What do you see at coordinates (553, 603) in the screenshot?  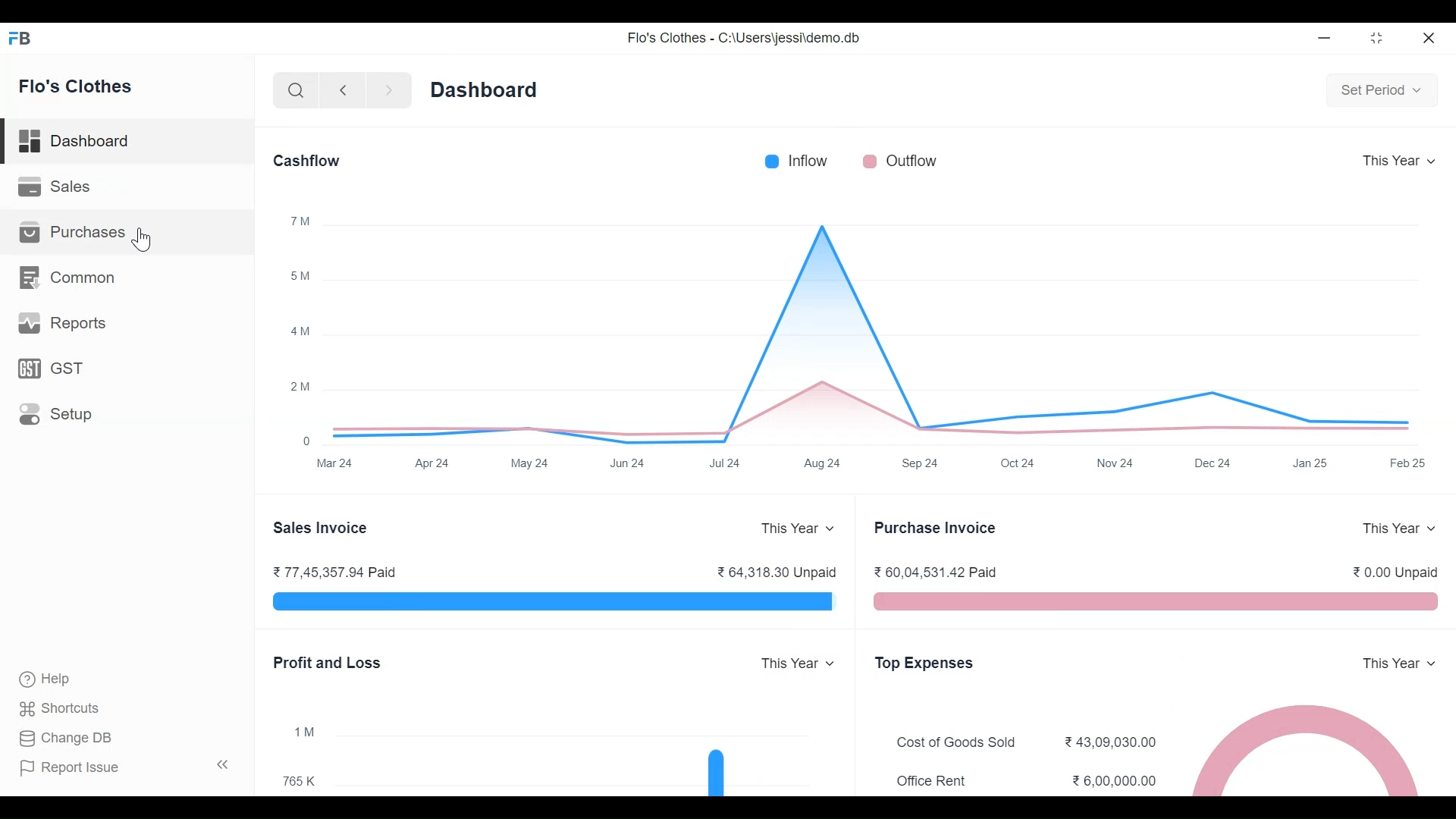 I see `the total outstanding amount which is pending from Flo's Clothes customers for their sales` at bounding box center [553, 603].